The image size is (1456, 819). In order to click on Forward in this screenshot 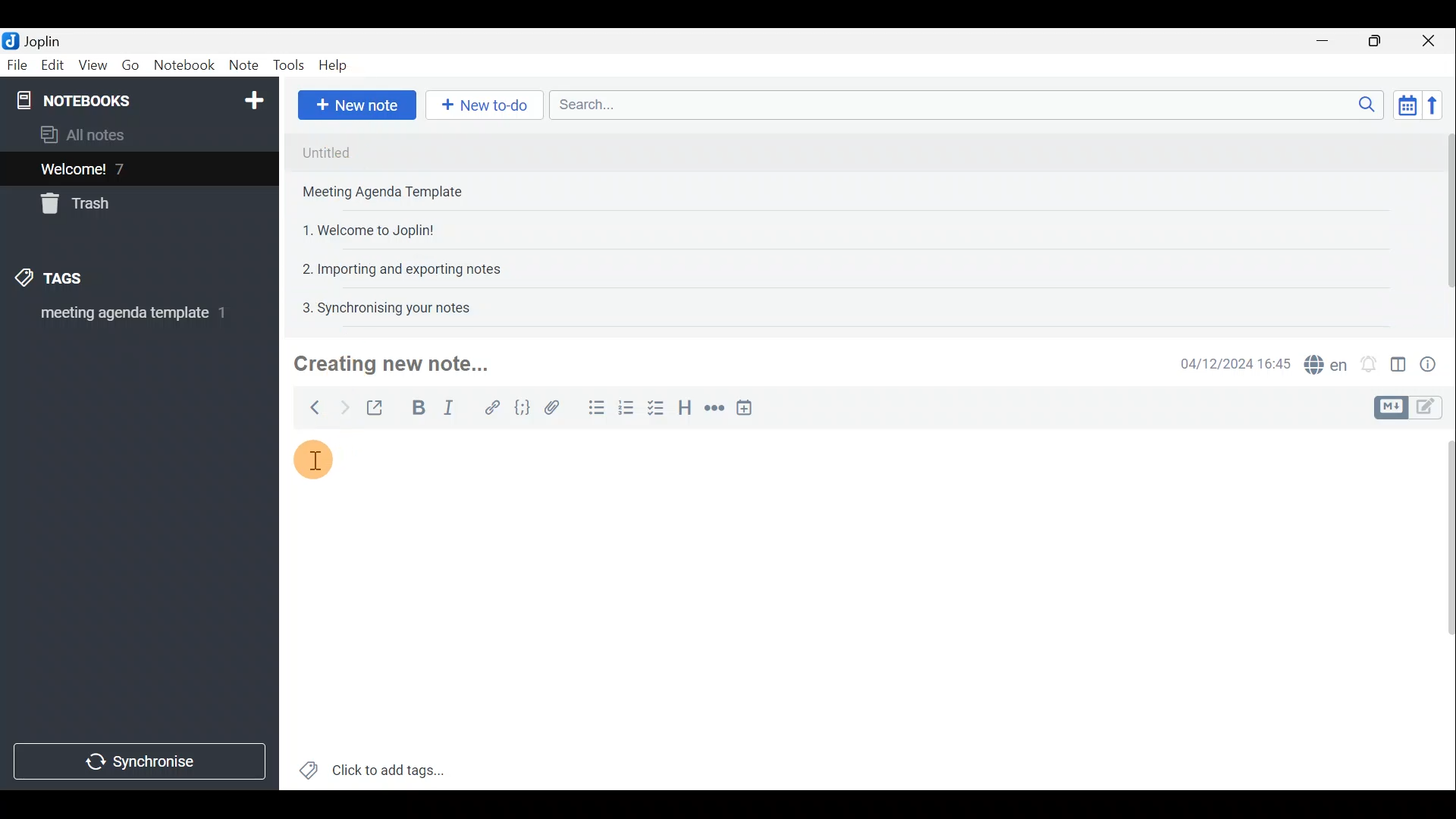, I will do `click(341, 406)`.